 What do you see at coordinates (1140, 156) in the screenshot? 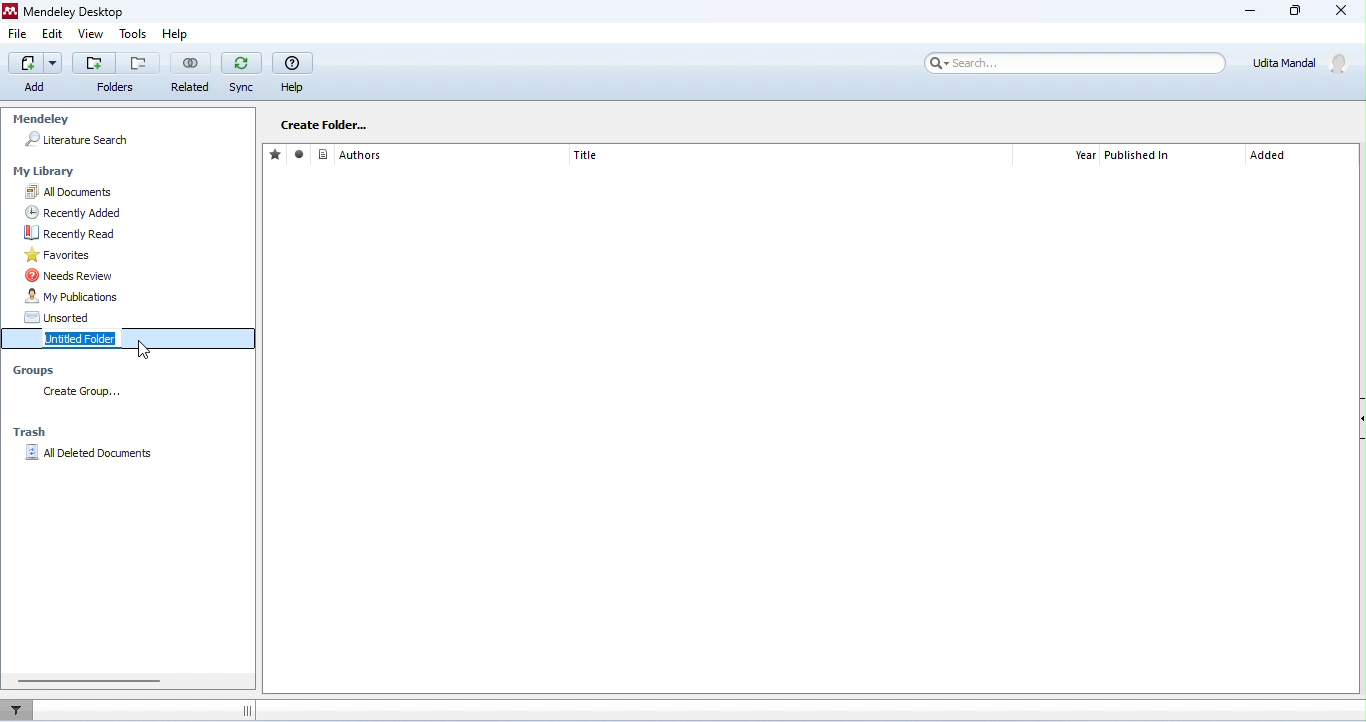
I see `published in` at bounding box center [1140, 156].